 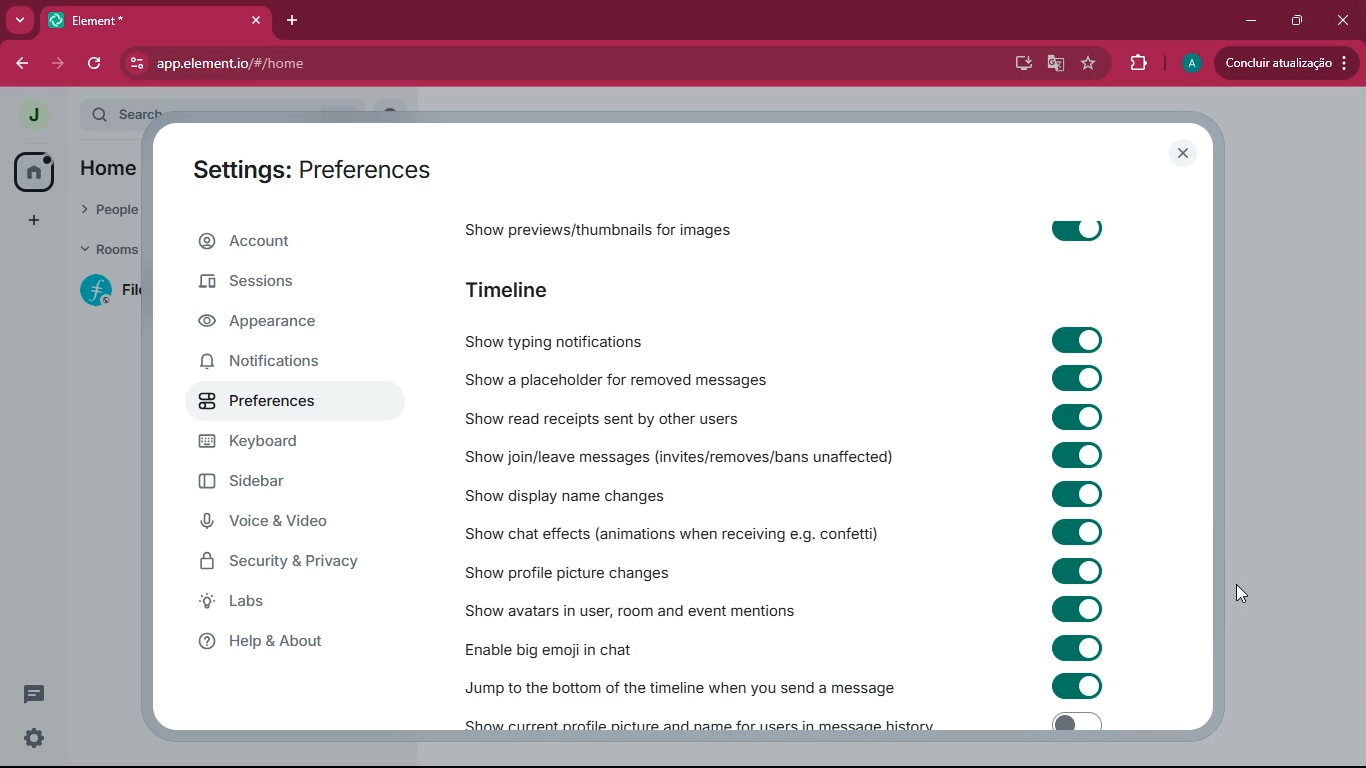 What do you see at coordinates (283, 525) in the screenshot?
I see `voice & video` at bounding box center [283, 525].